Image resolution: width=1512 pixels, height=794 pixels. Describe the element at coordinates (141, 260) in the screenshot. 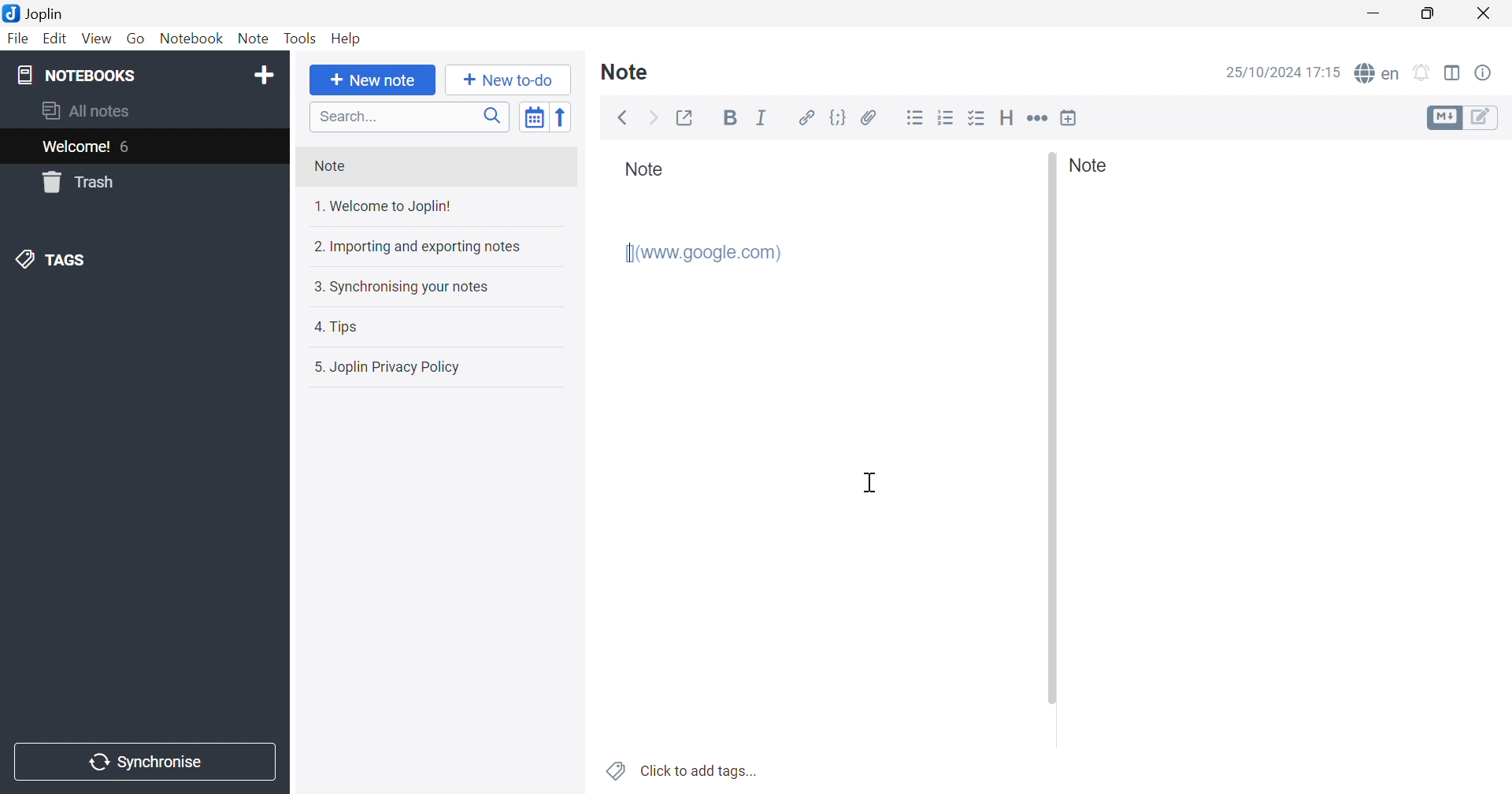

I see `Tags` at that location.